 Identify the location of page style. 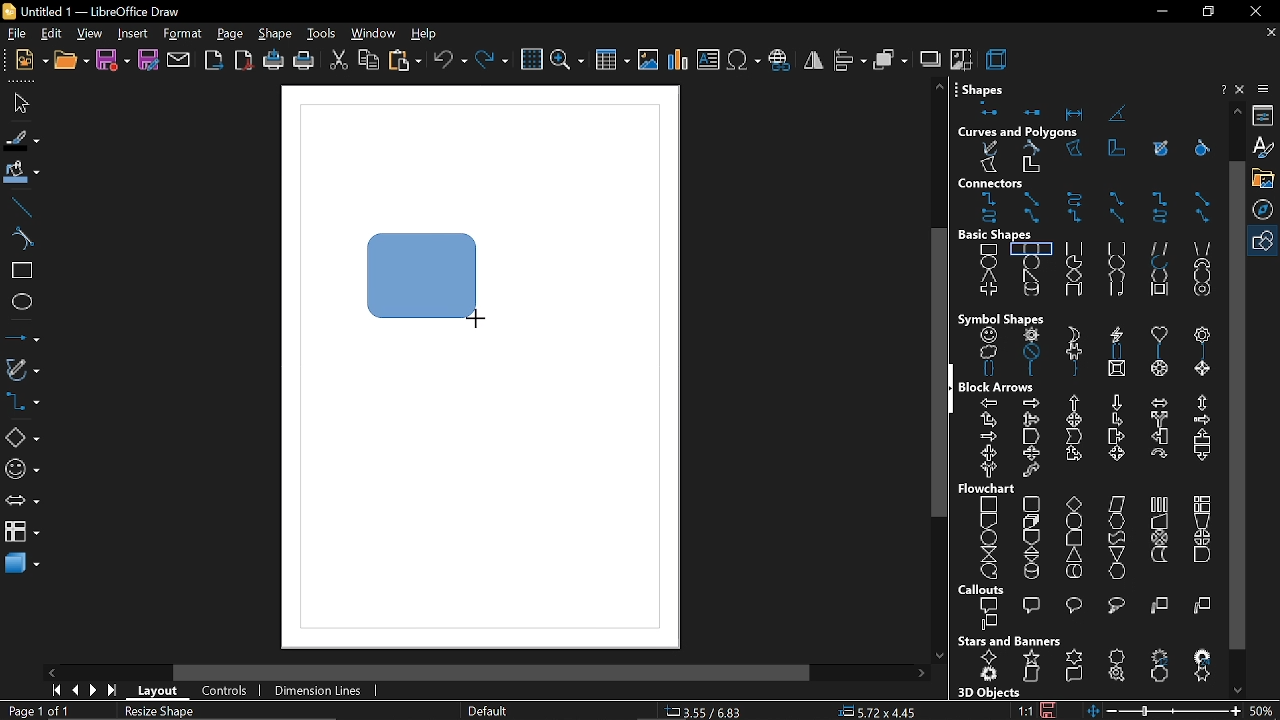
(486, 712).